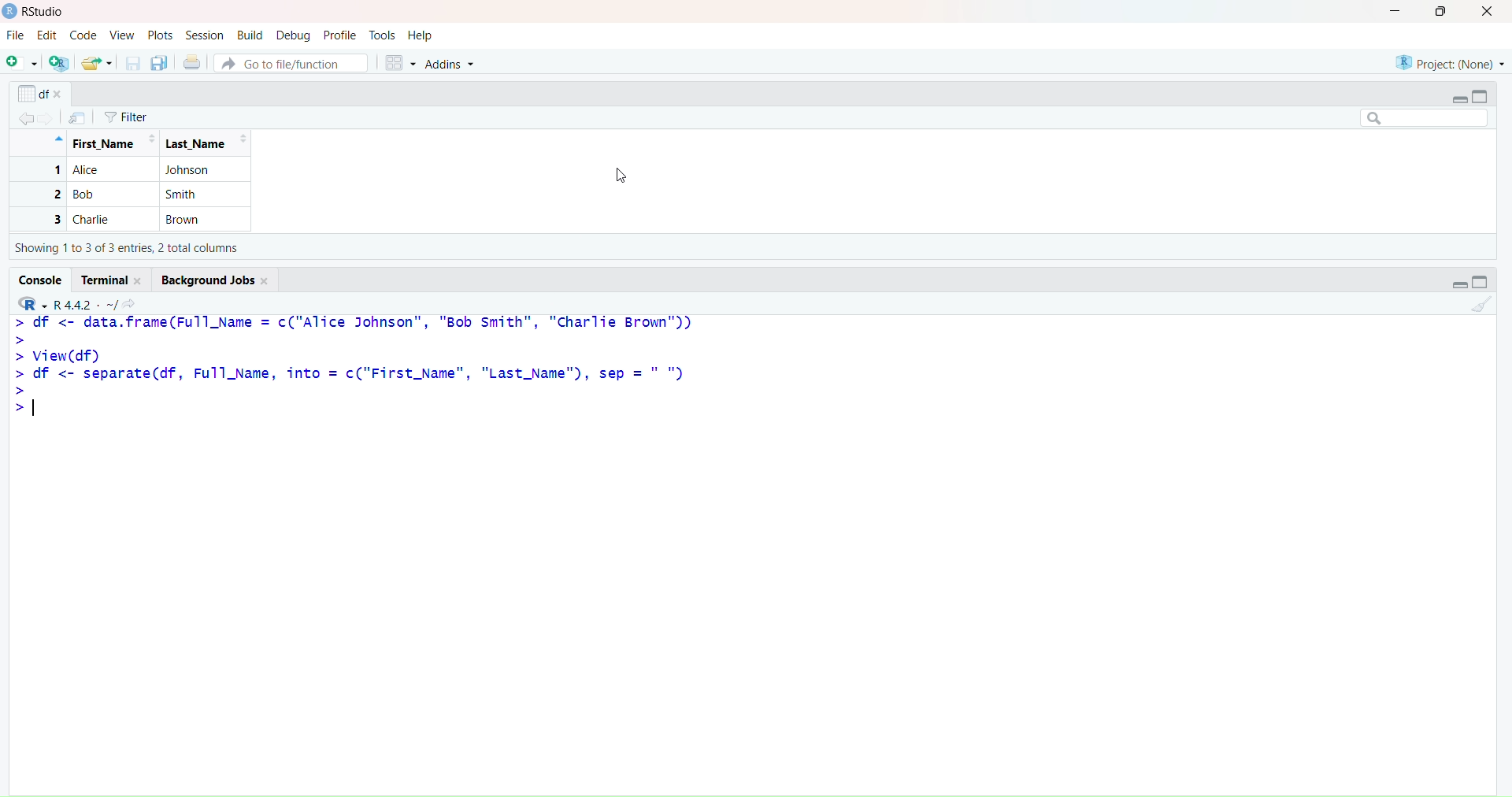  What do you see at coordinates (46, 37) in the screenshot?
I see `Edit` at bounding box center [46, 37].